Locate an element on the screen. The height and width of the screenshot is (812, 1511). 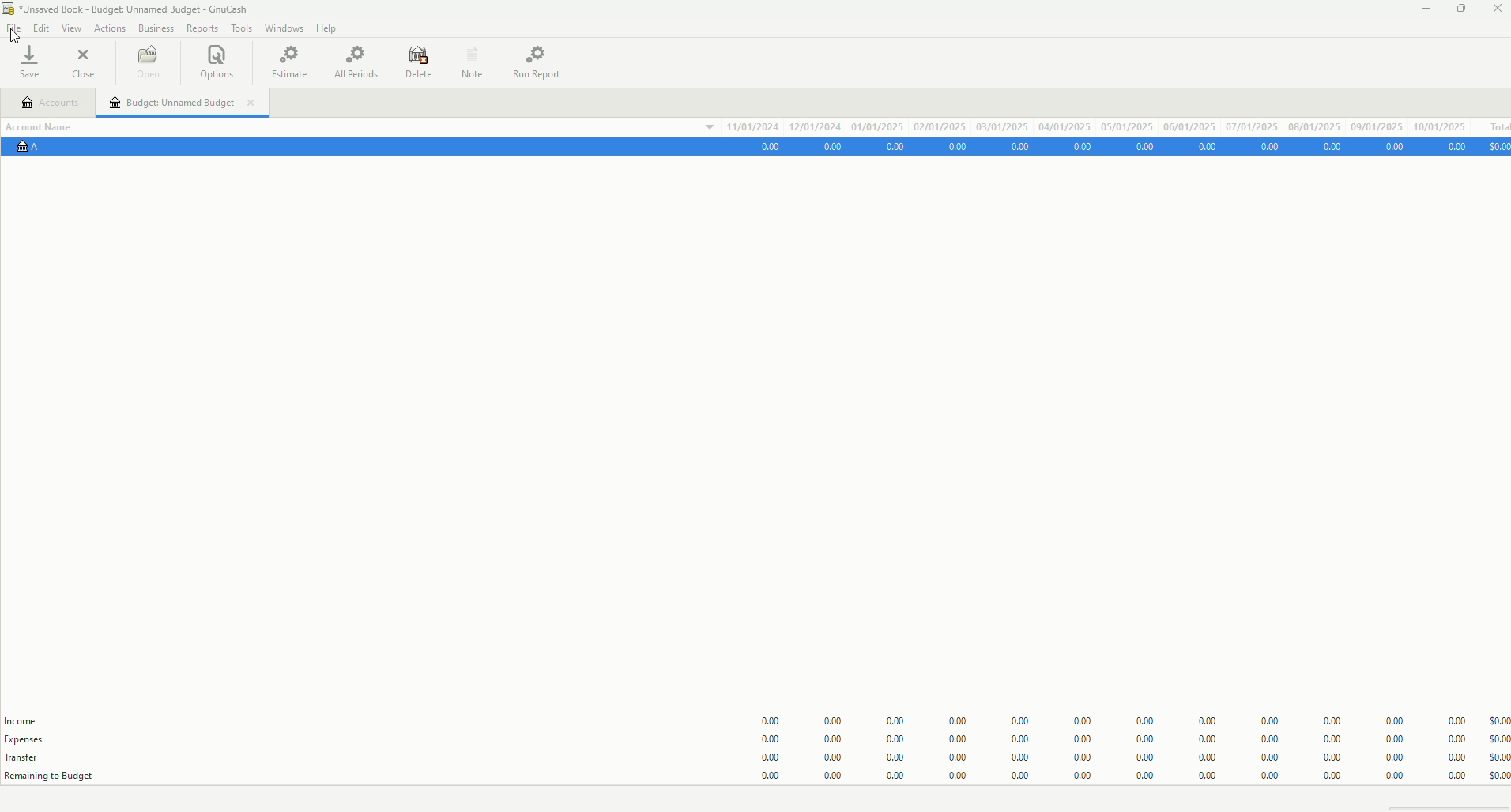
Delete is located at coordinates (414, 62).